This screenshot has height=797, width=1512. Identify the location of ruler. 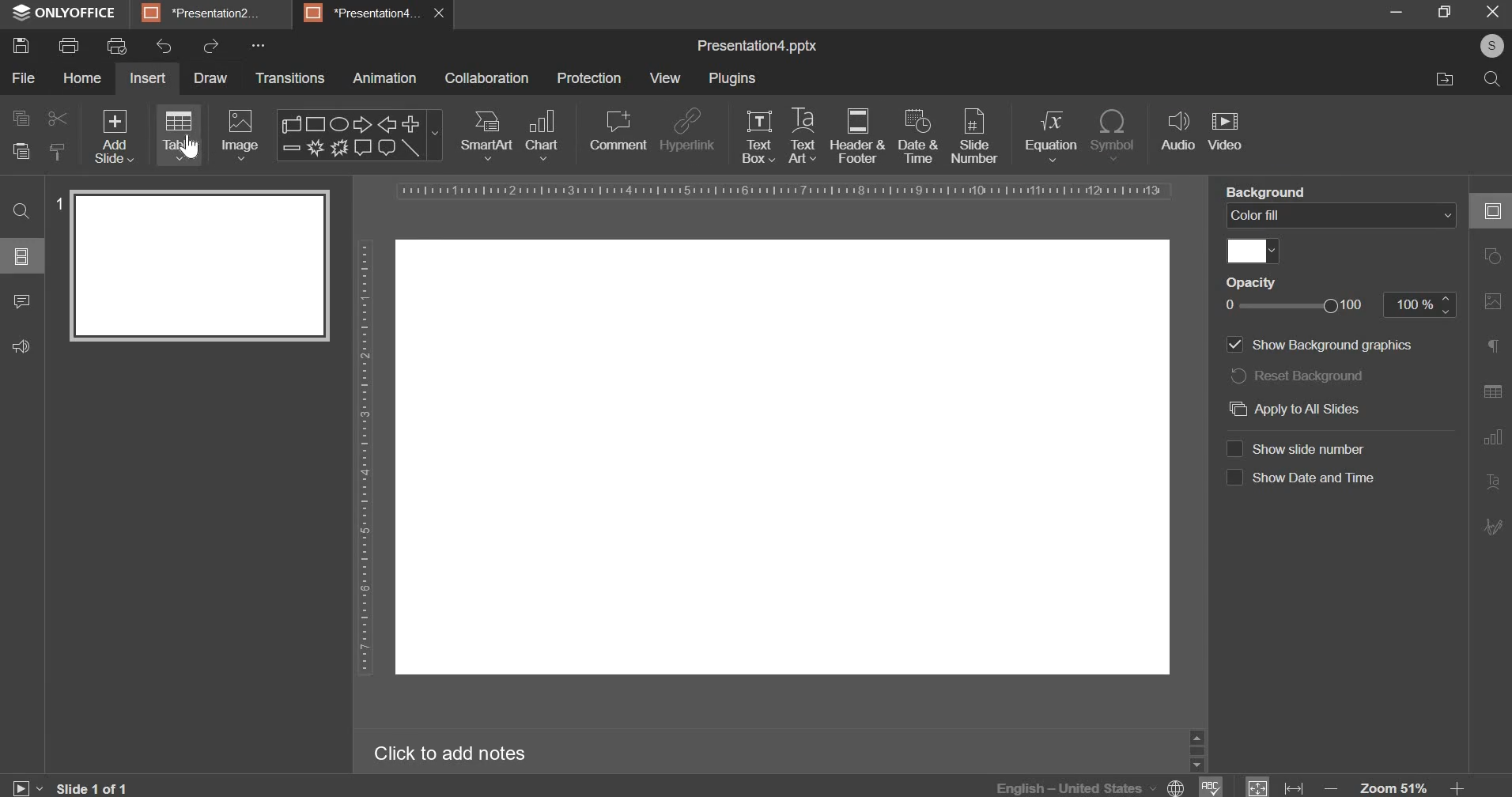
(365, 460).